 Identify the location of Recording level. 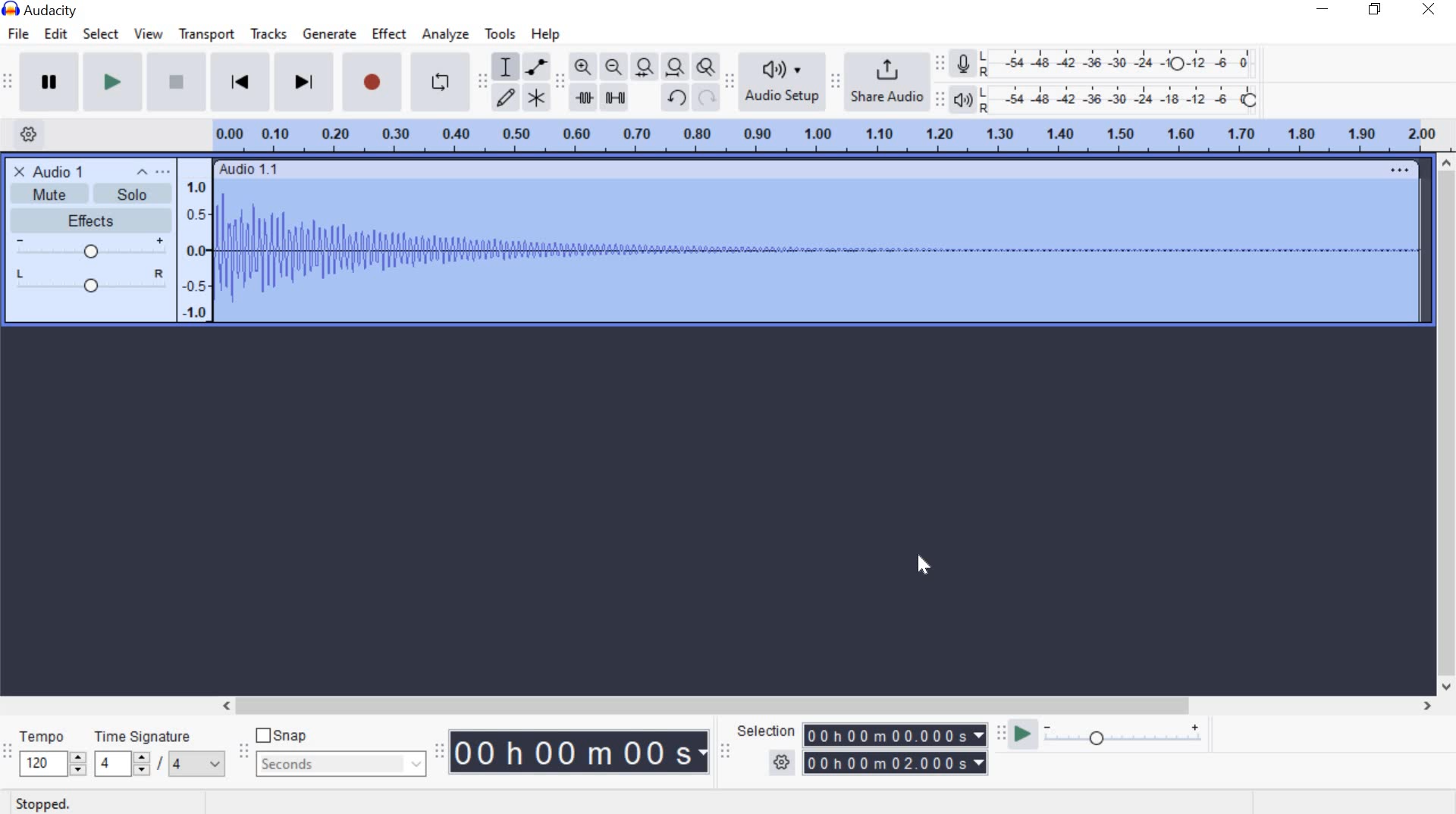
(1124, 59).